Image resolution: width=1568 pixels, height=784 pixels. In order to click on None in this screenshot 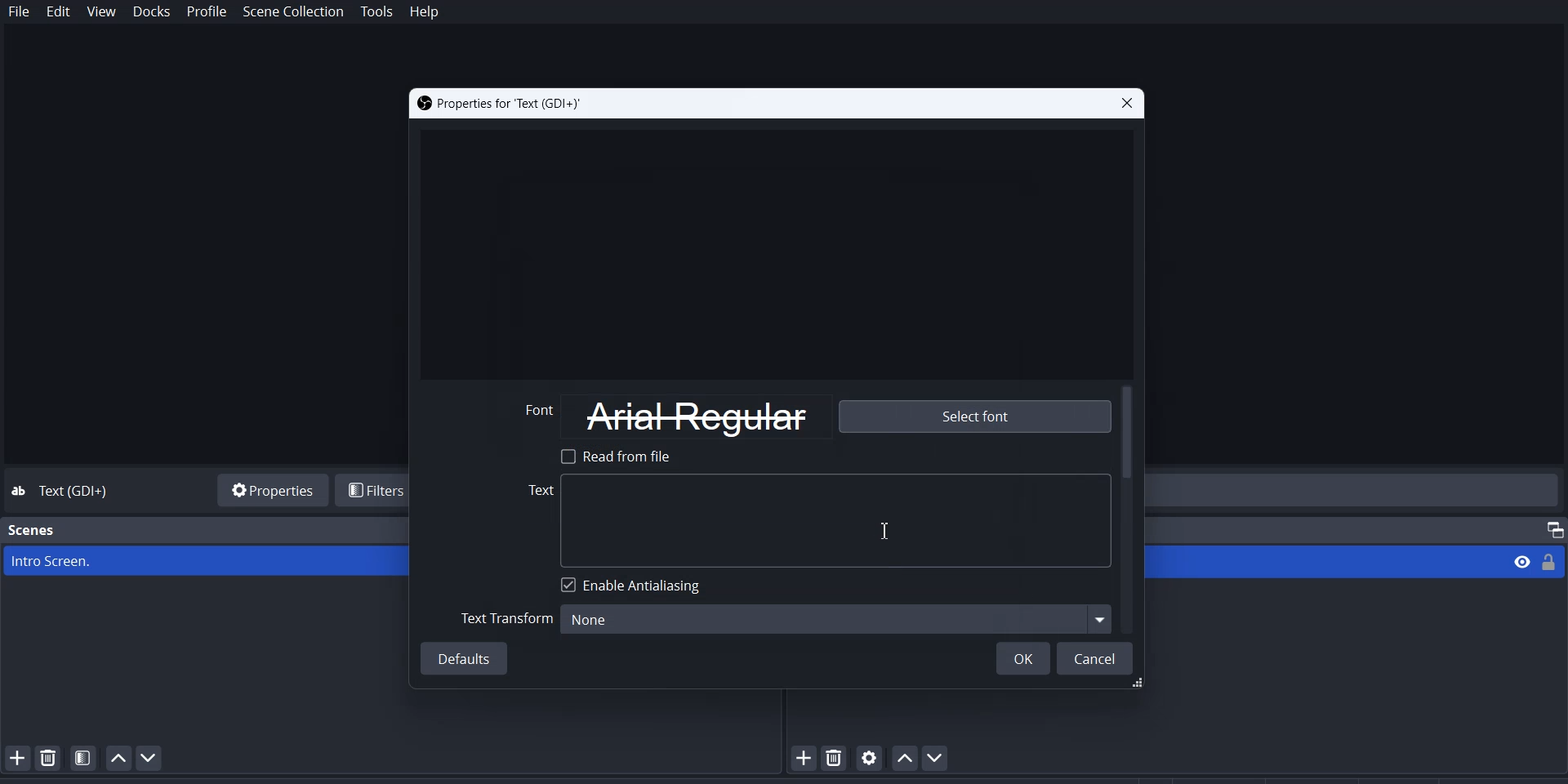, I will do `click(837, 619)`.